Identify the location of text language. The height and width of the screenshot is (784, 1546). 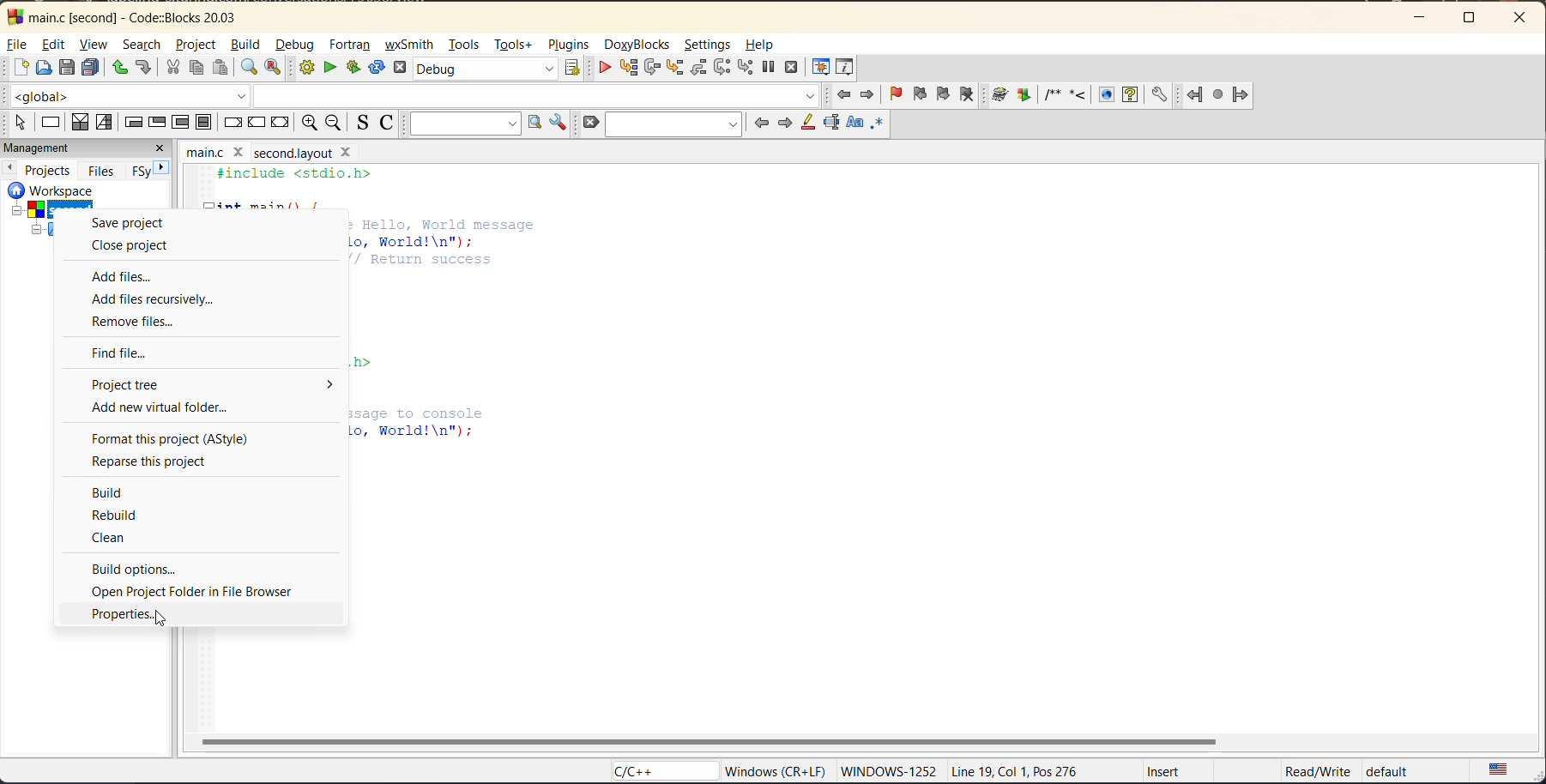
(1497, 770).